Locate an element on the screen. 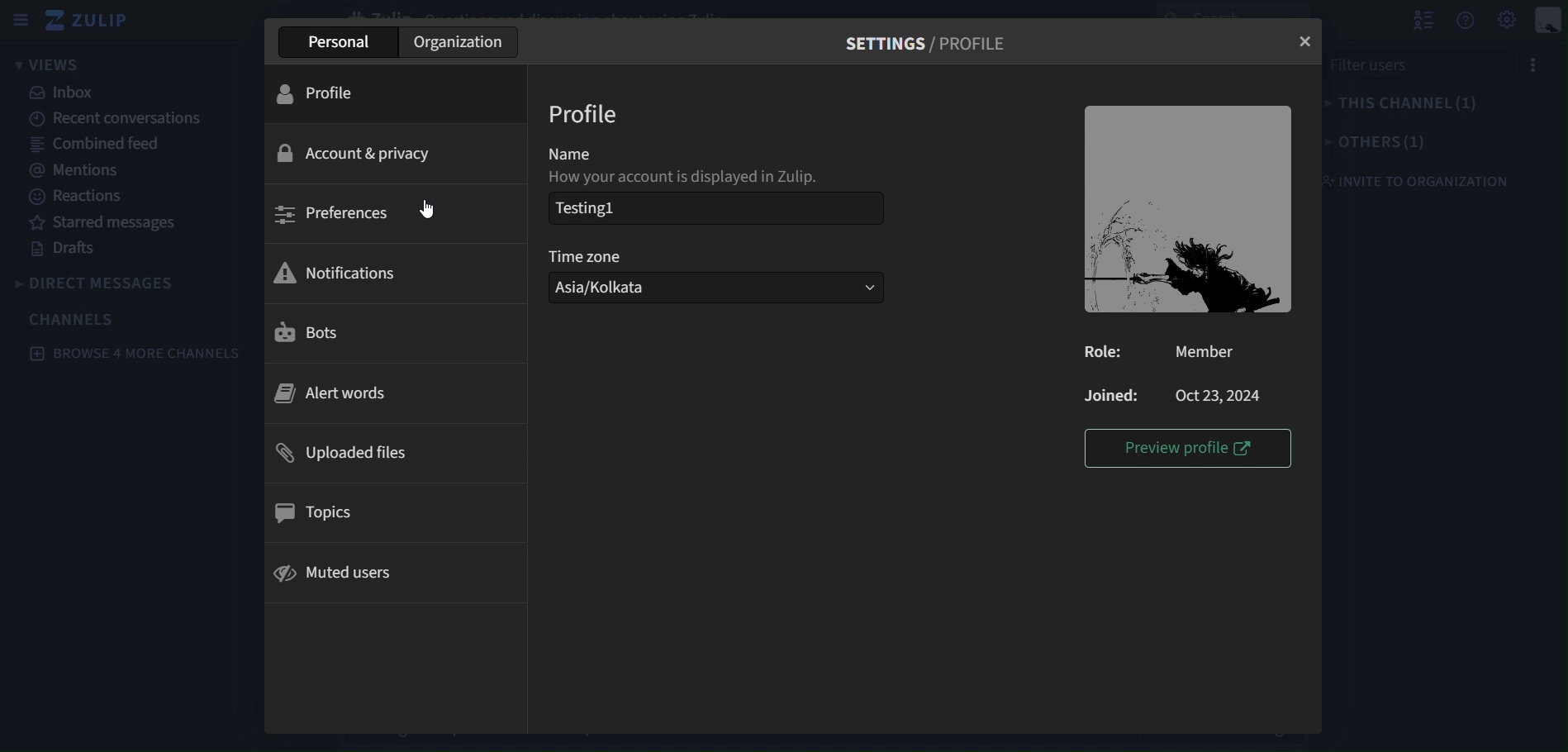  recent conversations is located at coordinates (128, 121).